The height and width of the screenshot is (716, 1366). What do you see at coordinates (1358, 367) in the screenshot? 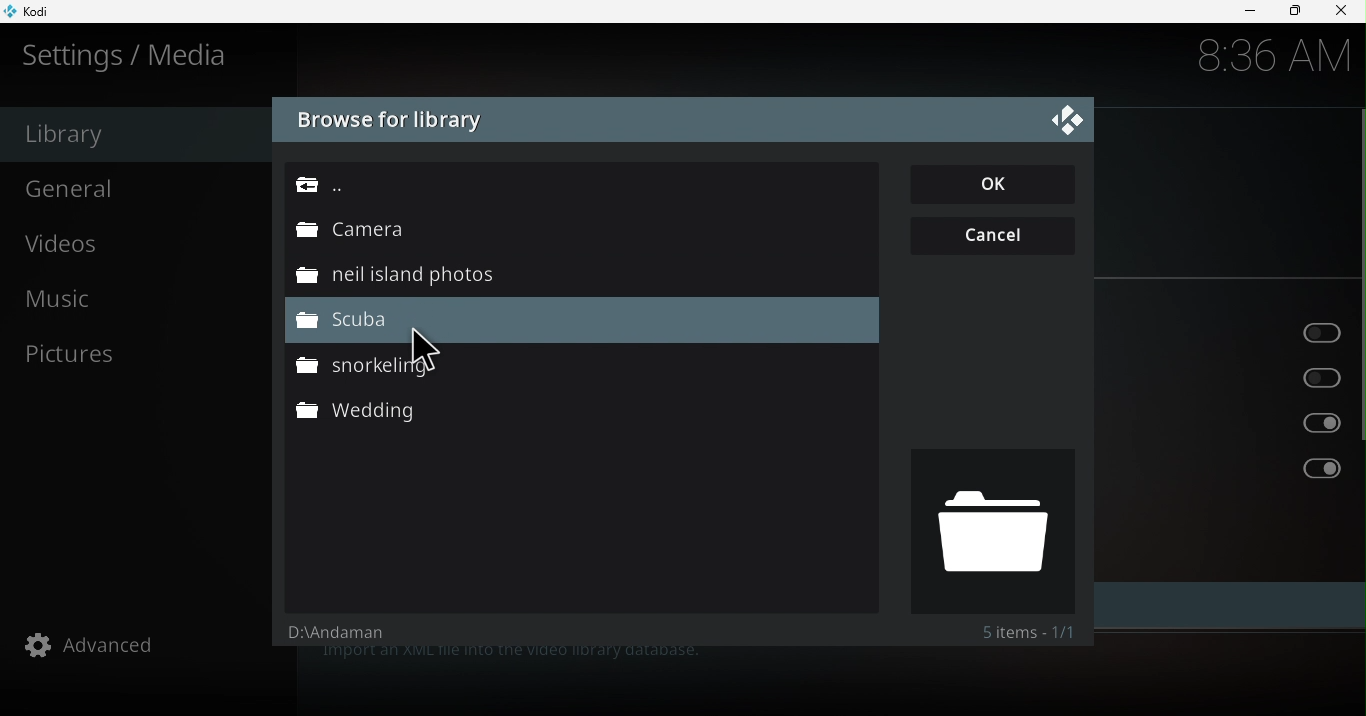
I see `scroll bar` at bounding box center [1358, 367].